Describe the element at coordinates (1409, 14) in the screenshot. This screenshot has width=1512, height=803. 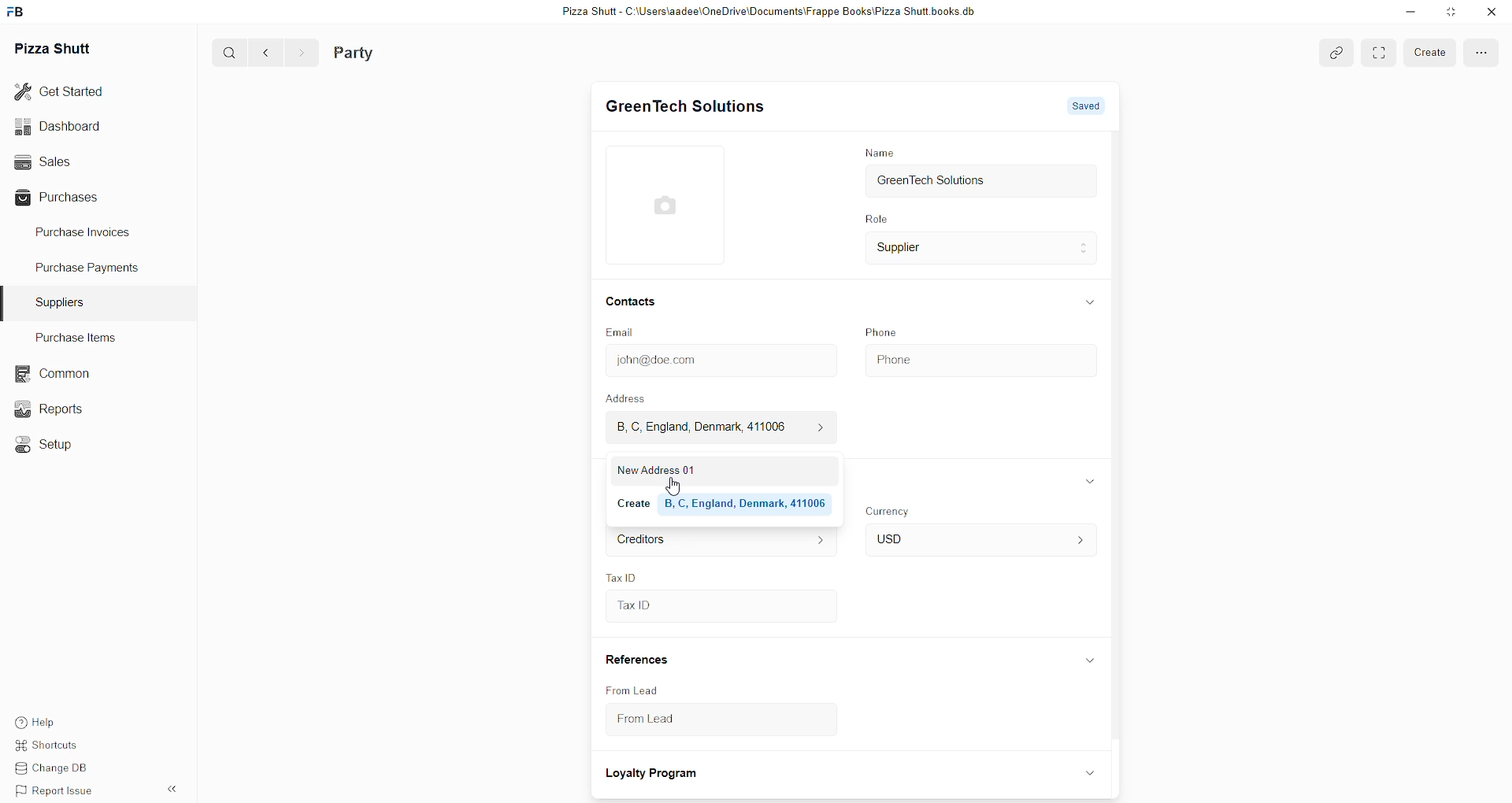
I see `minimize` at that location.